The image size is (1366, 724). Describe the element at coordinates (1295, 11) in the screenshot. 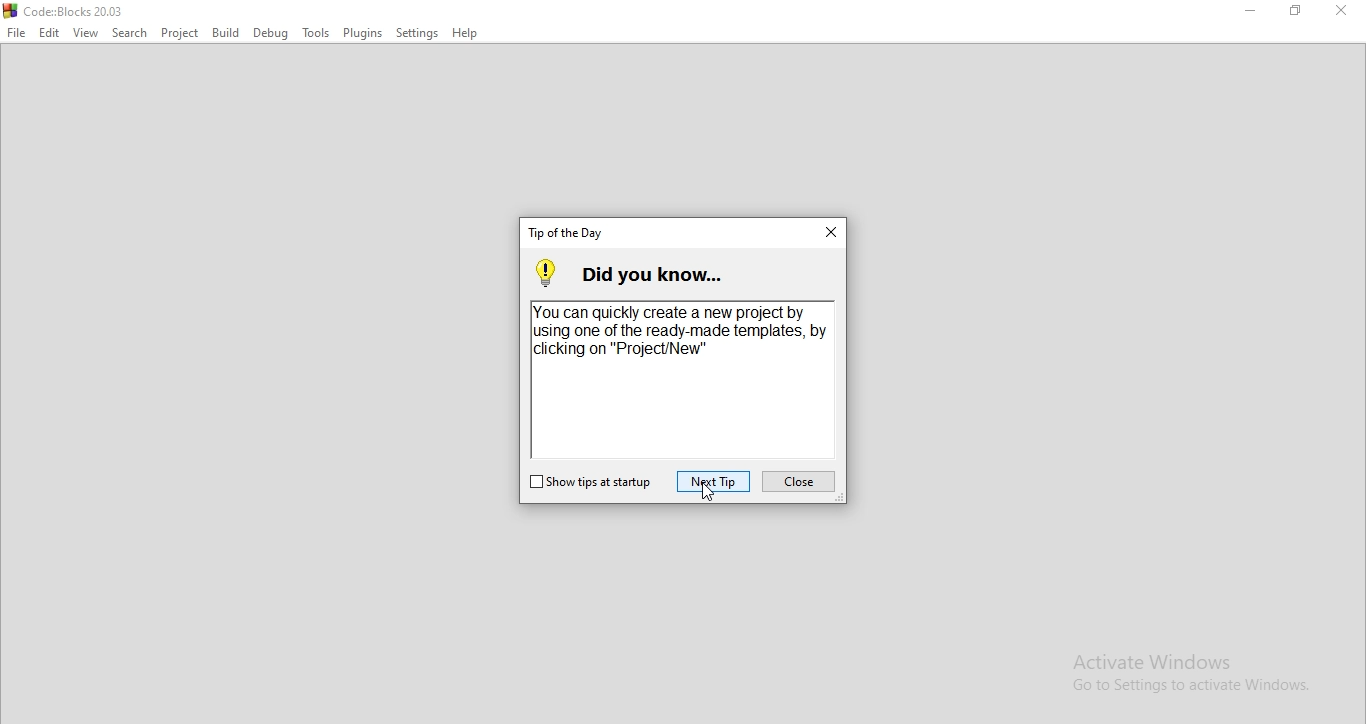

I see `Restore` at that location.